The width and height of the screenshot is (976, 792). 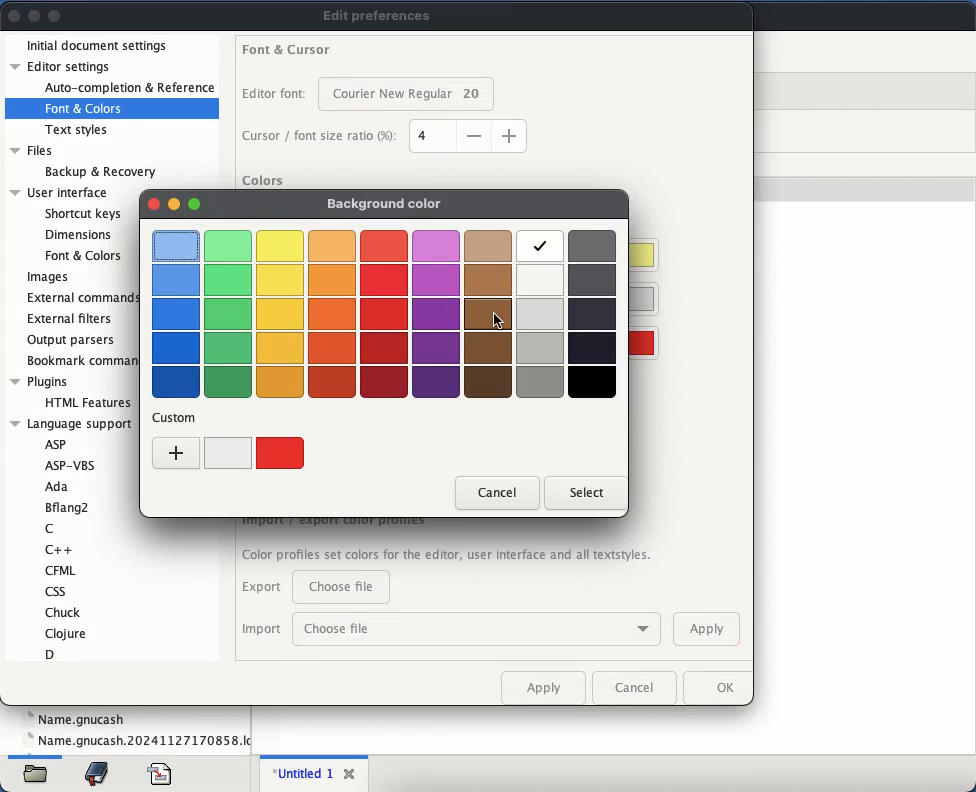 What do you see at coordinates (469, 135) in the screenshot?
I see `size` at bounding box center [469, 135].